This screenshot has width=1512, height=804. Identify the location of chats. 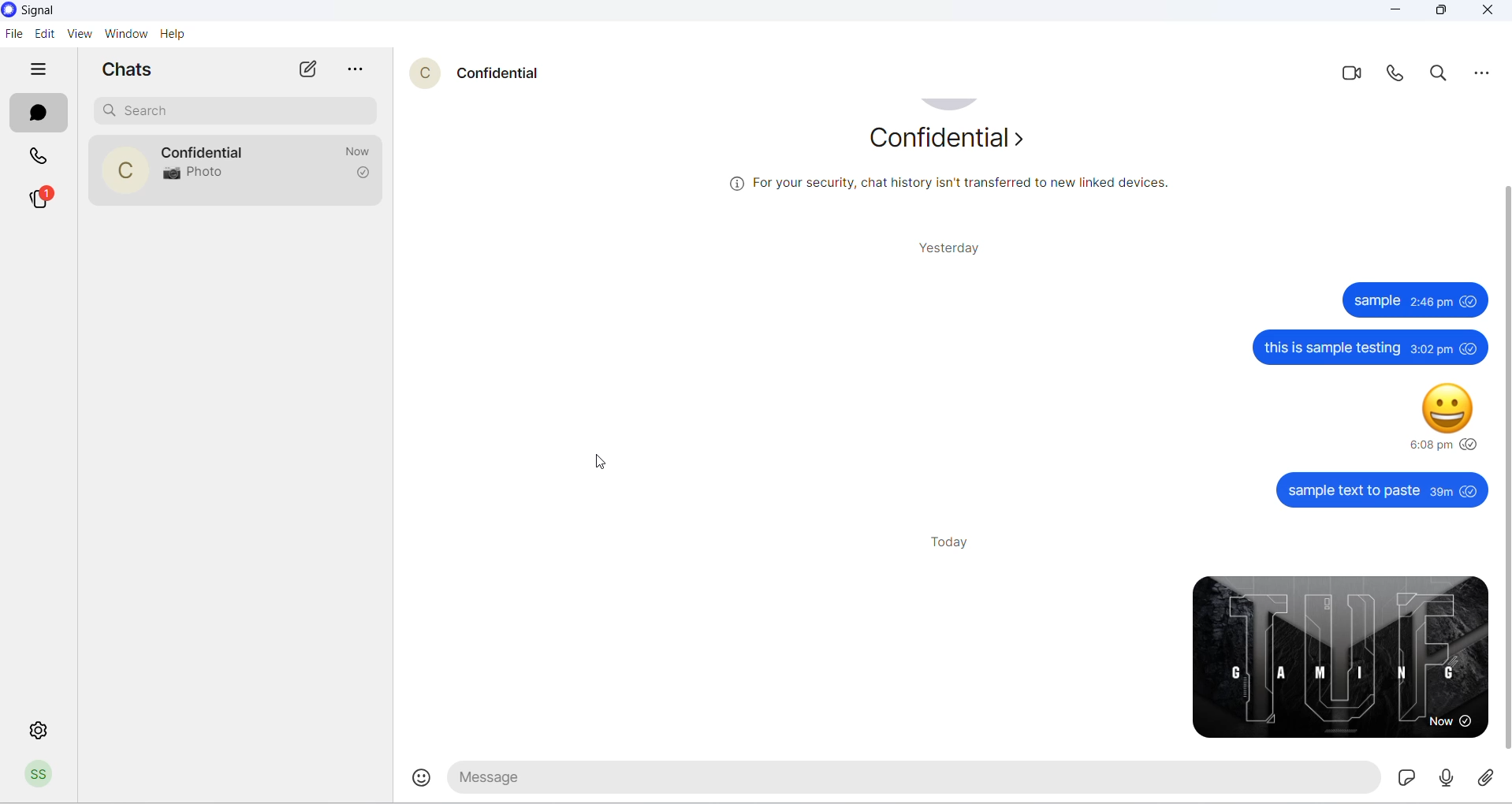
(34, 114).